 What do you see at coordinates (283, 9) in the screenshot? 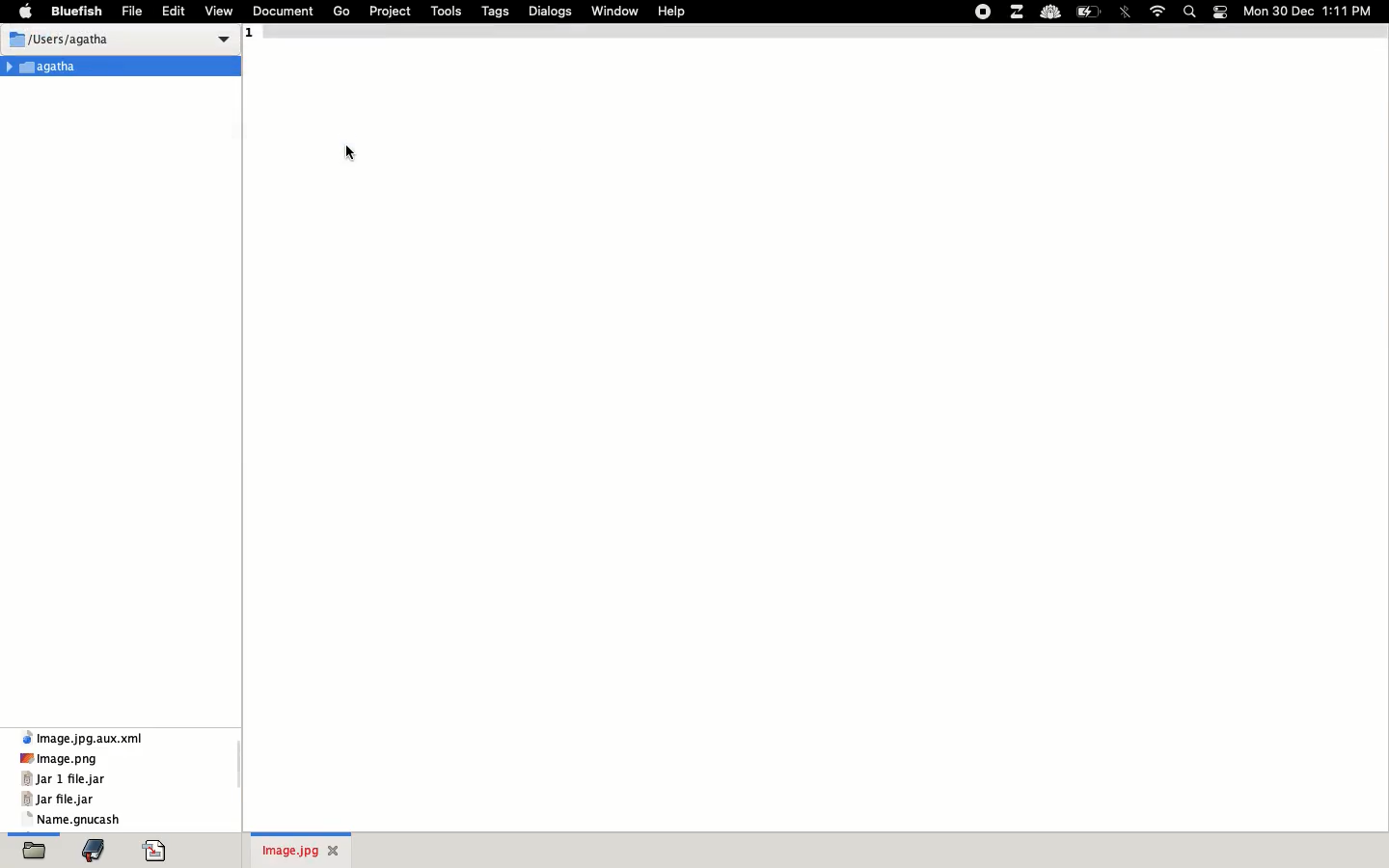
I see `document` at bounding box center [283, 9].